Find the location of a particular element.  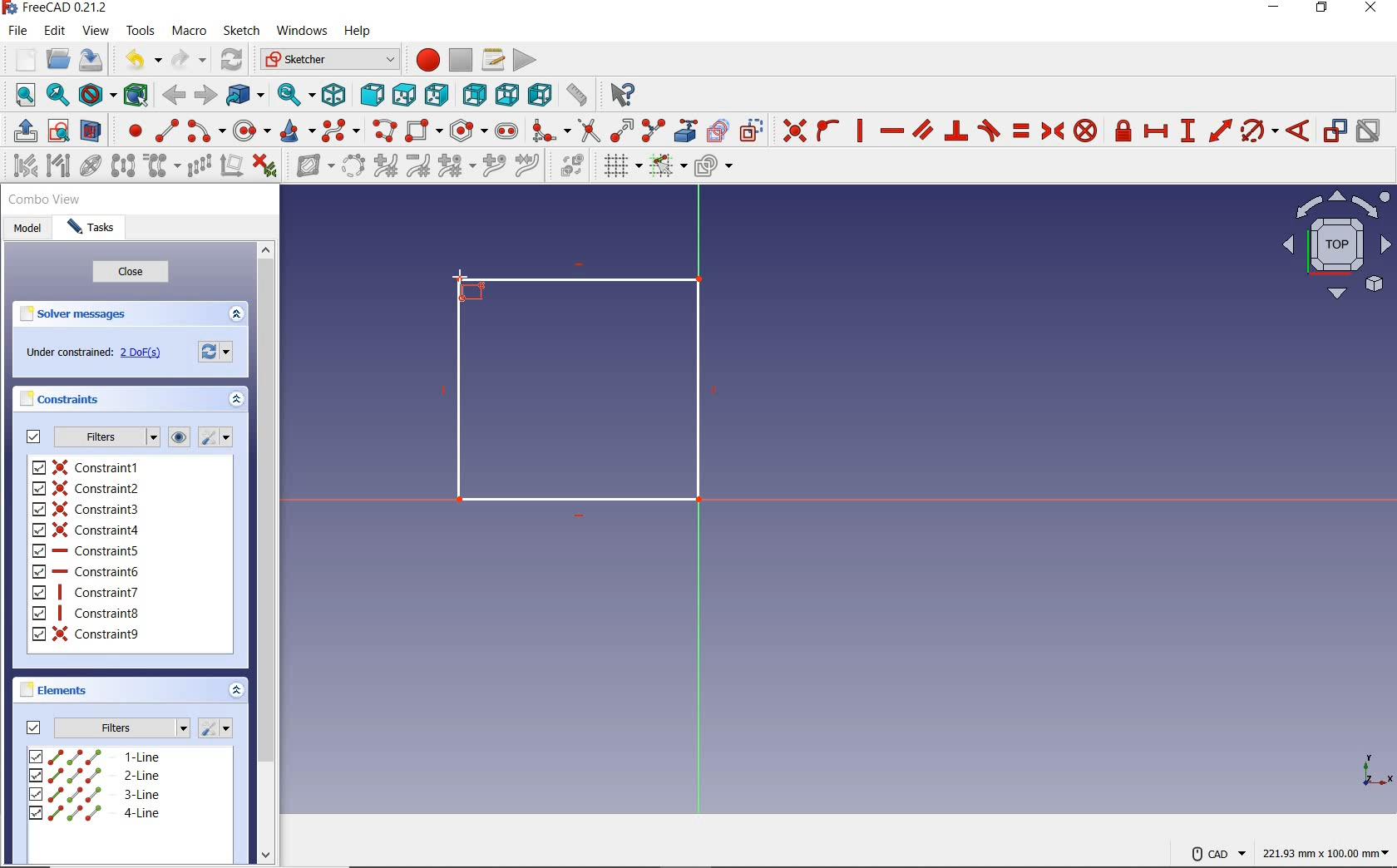

constrain equal is located at coordinates (1020, 131).